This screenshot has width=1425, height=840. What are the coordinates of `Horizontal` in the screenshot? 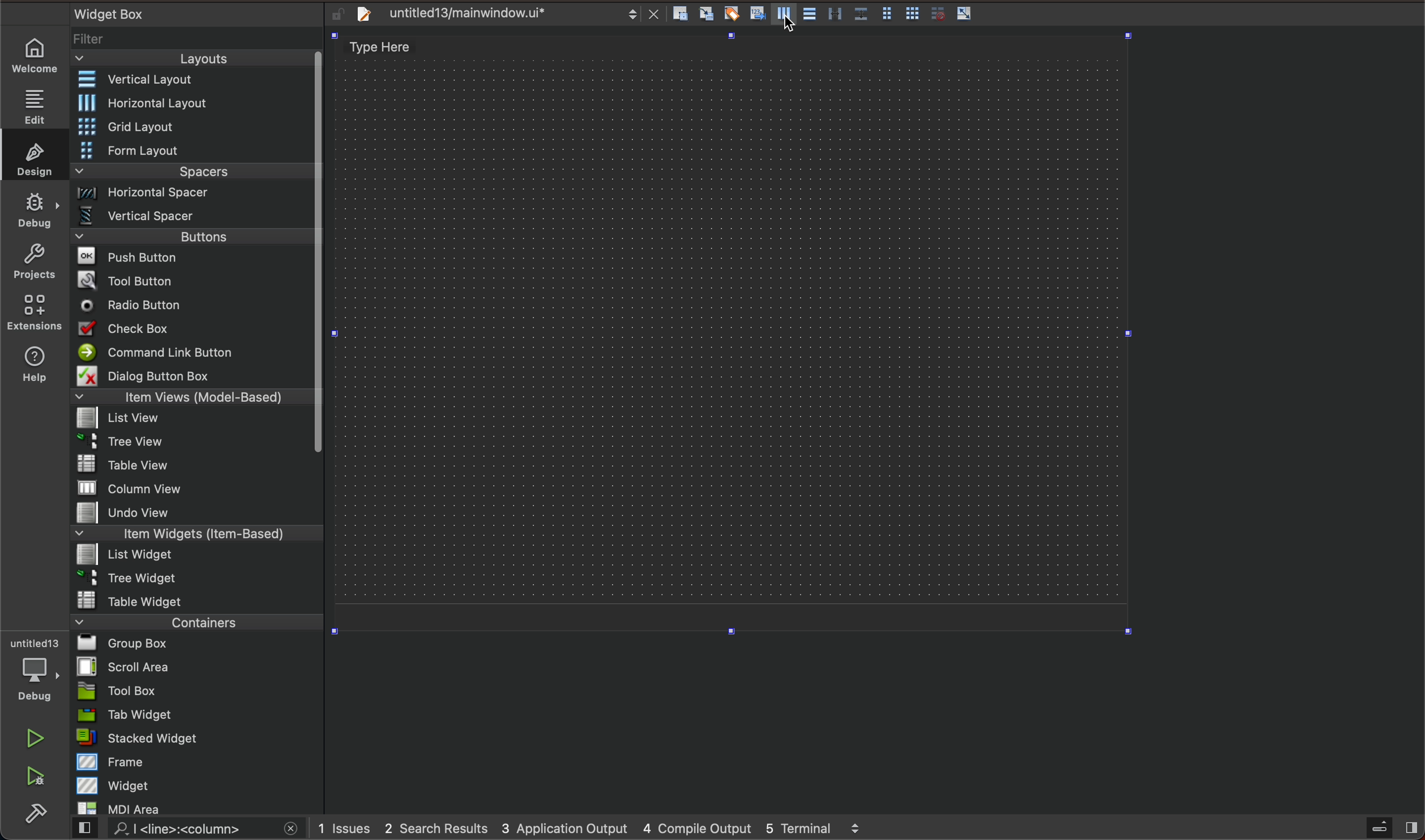 It's located at (810, 13).